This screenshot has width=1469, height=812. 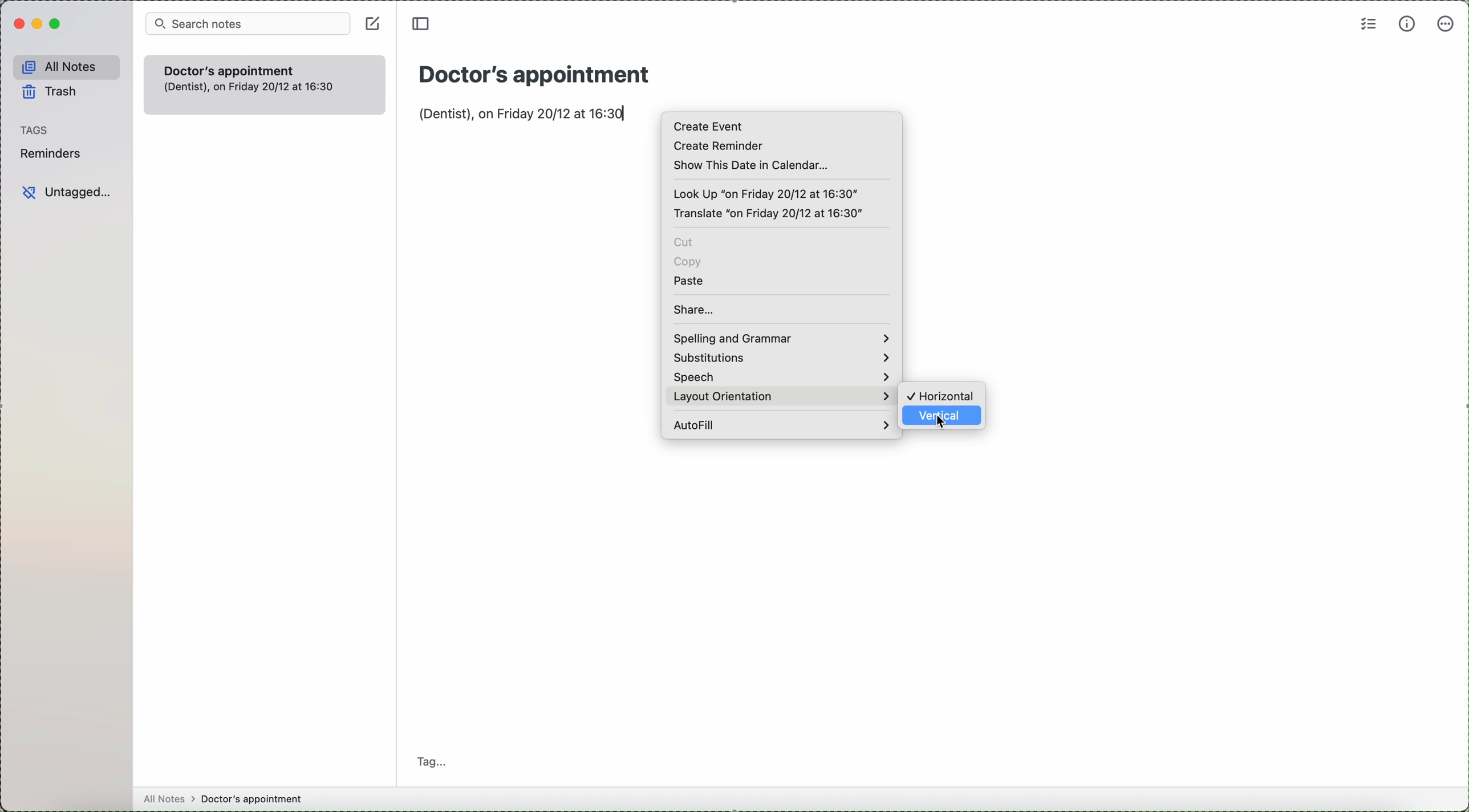 What do you see at coordinates (65, 192) in the screenshot?
I see `untagged` at bounding box center [65, 192].